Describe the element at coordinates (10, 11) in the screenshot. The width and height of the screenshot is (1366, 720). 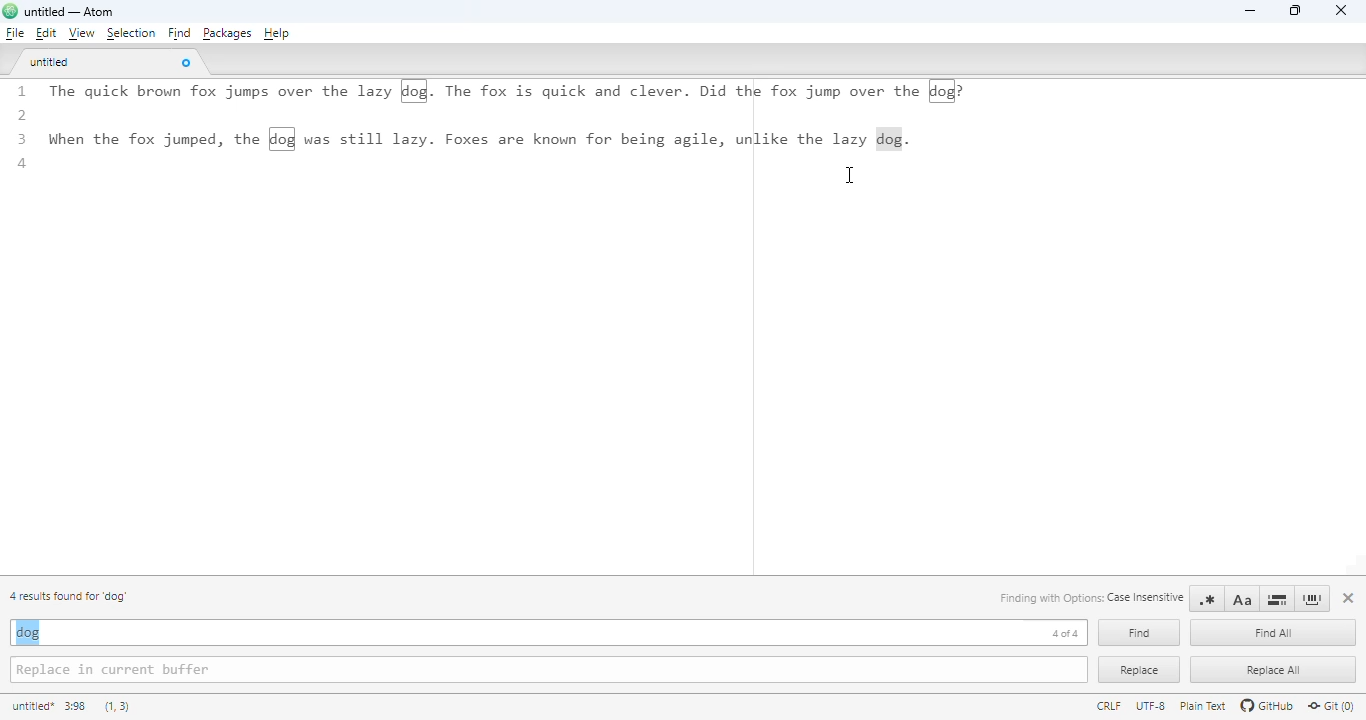
I see `logo` at that location.